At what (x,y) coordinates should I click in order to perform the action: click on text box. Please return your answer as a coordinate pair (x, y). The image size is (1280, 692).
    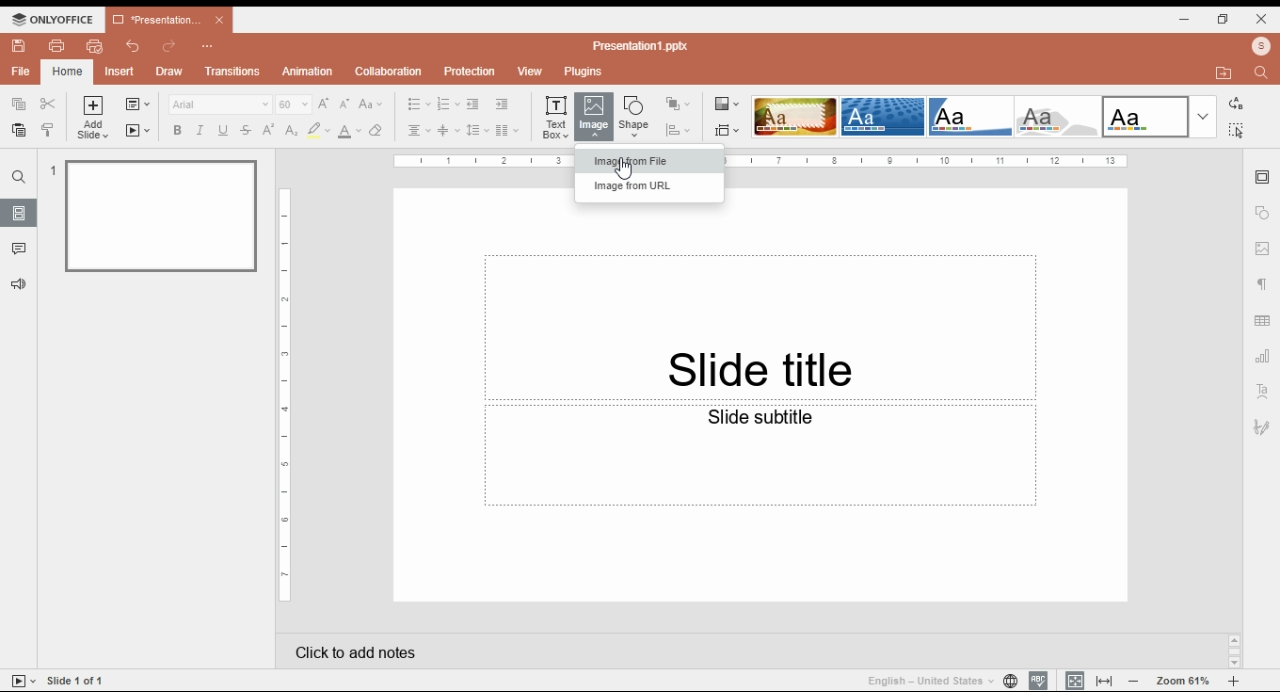
    Looking at the image, I should click on (759, 325).